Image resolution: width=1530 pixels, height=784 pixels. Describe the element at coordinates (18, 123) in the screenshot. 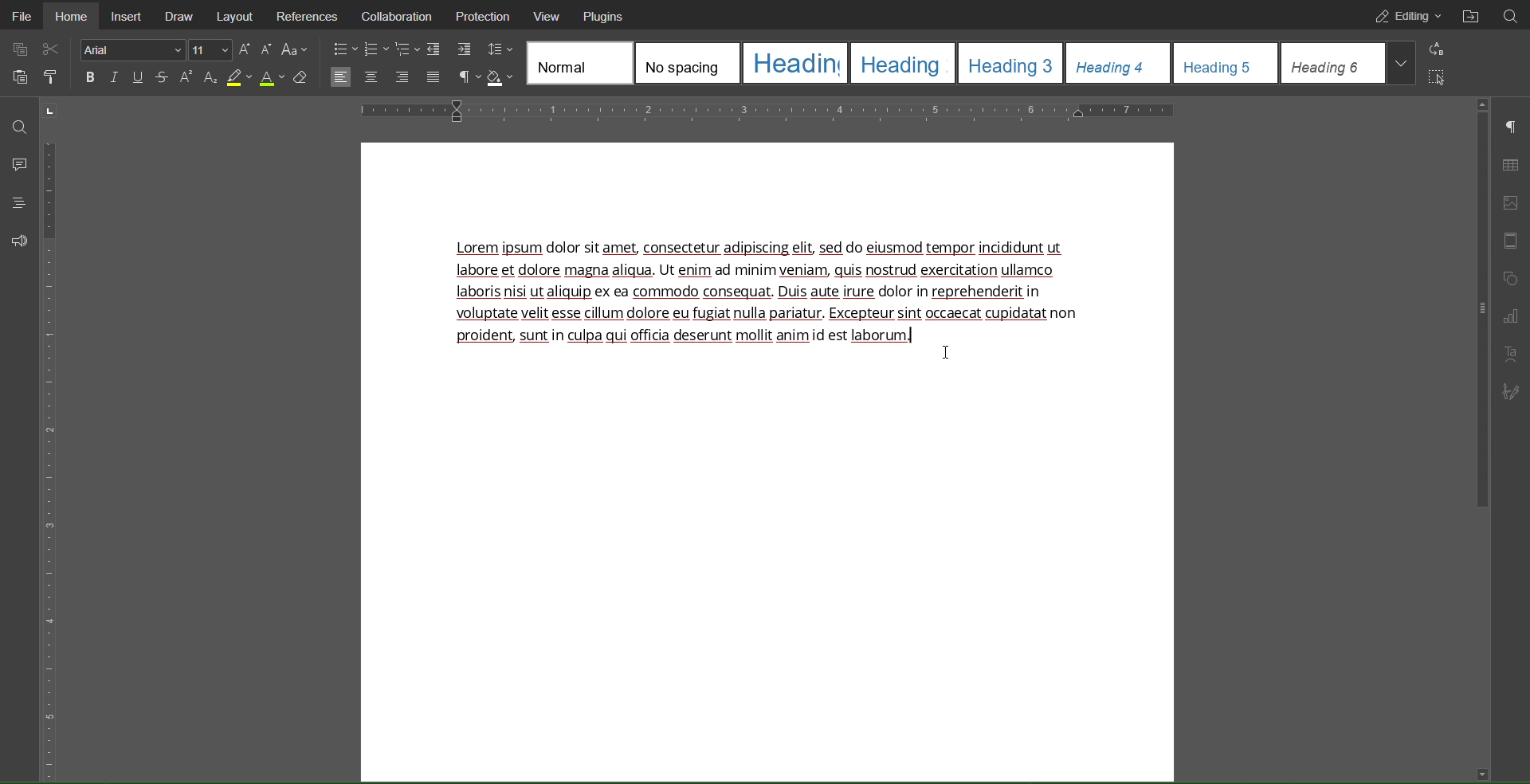

I see `Search` at that location.